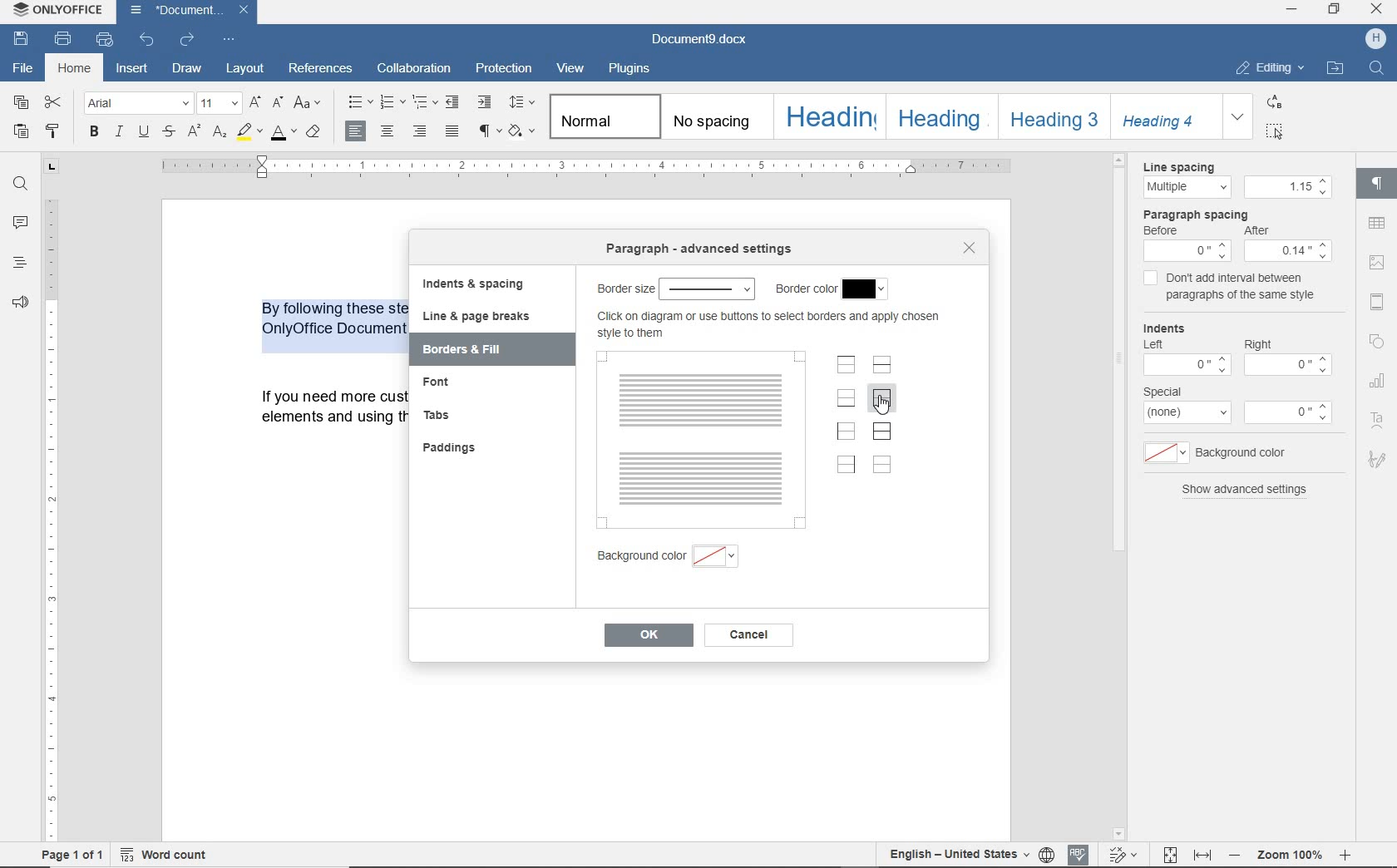 The height and width of the screenshot is (868, 1397). What do you see at coordinates (766, 326) in the screenshot?
I see `more info` at bounding box center [766, 326].